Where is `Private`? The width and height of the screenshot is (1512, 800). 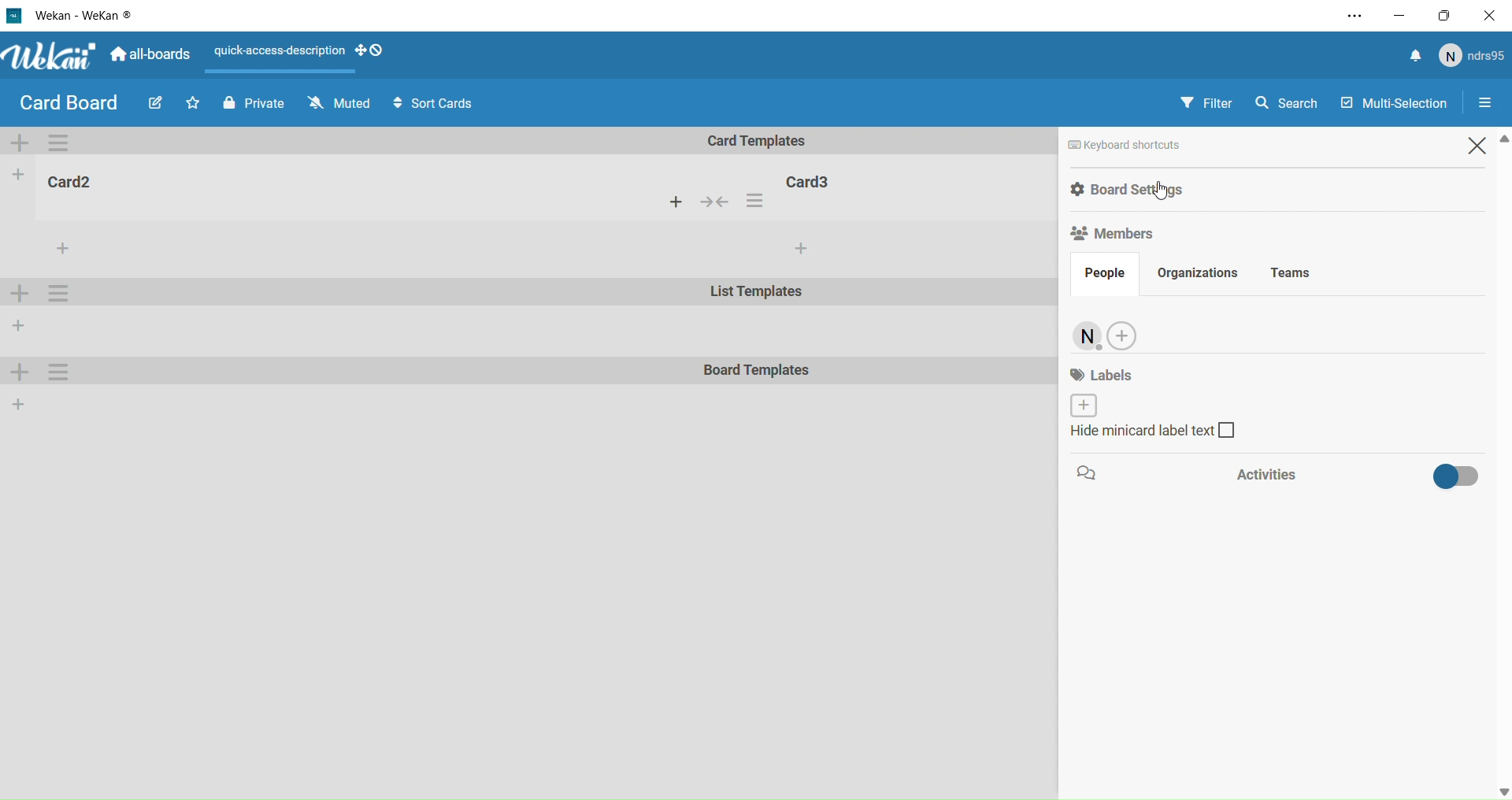
Private is located at coordinates (250, 102).